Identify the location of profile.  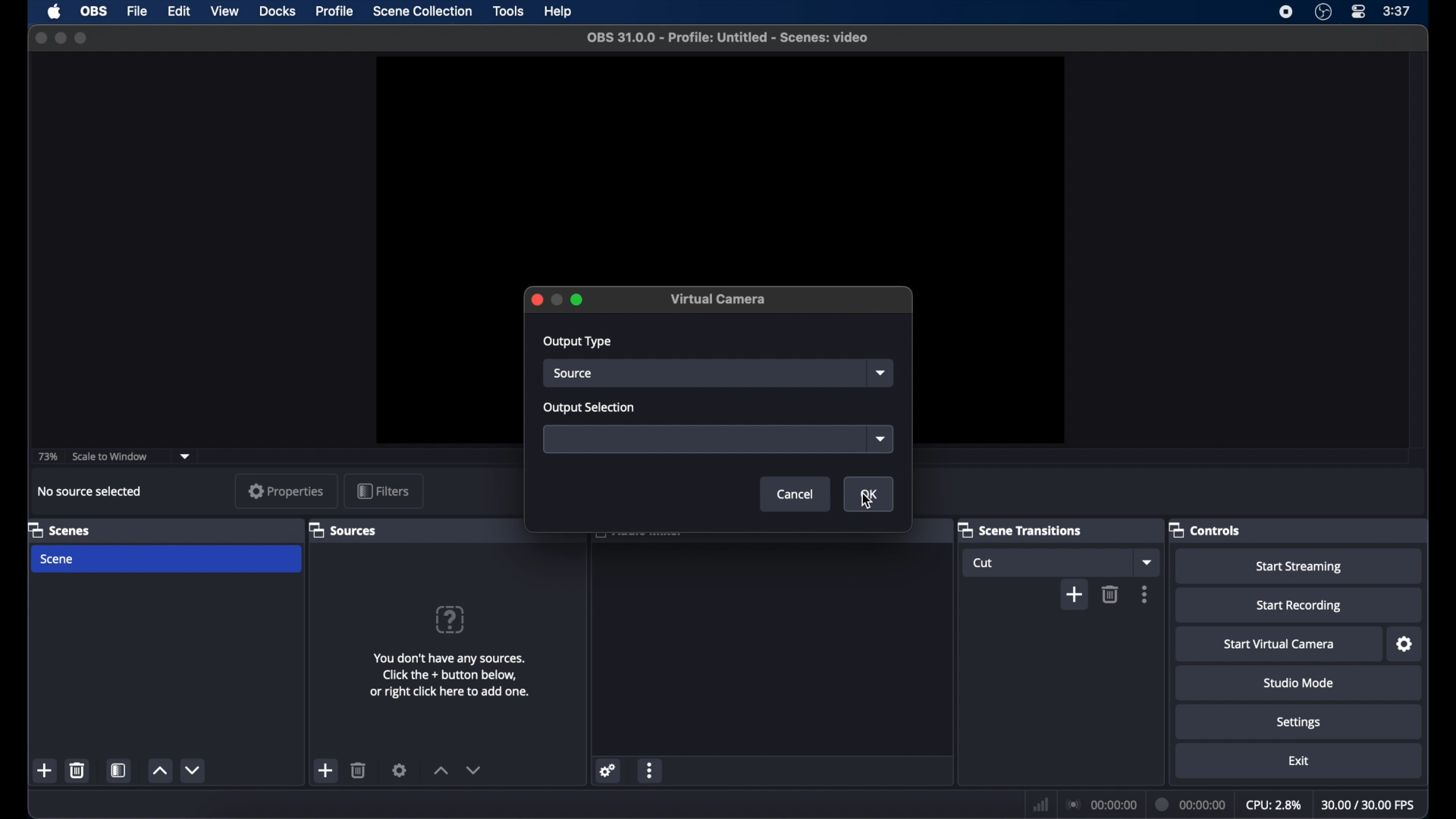
(337, 11).